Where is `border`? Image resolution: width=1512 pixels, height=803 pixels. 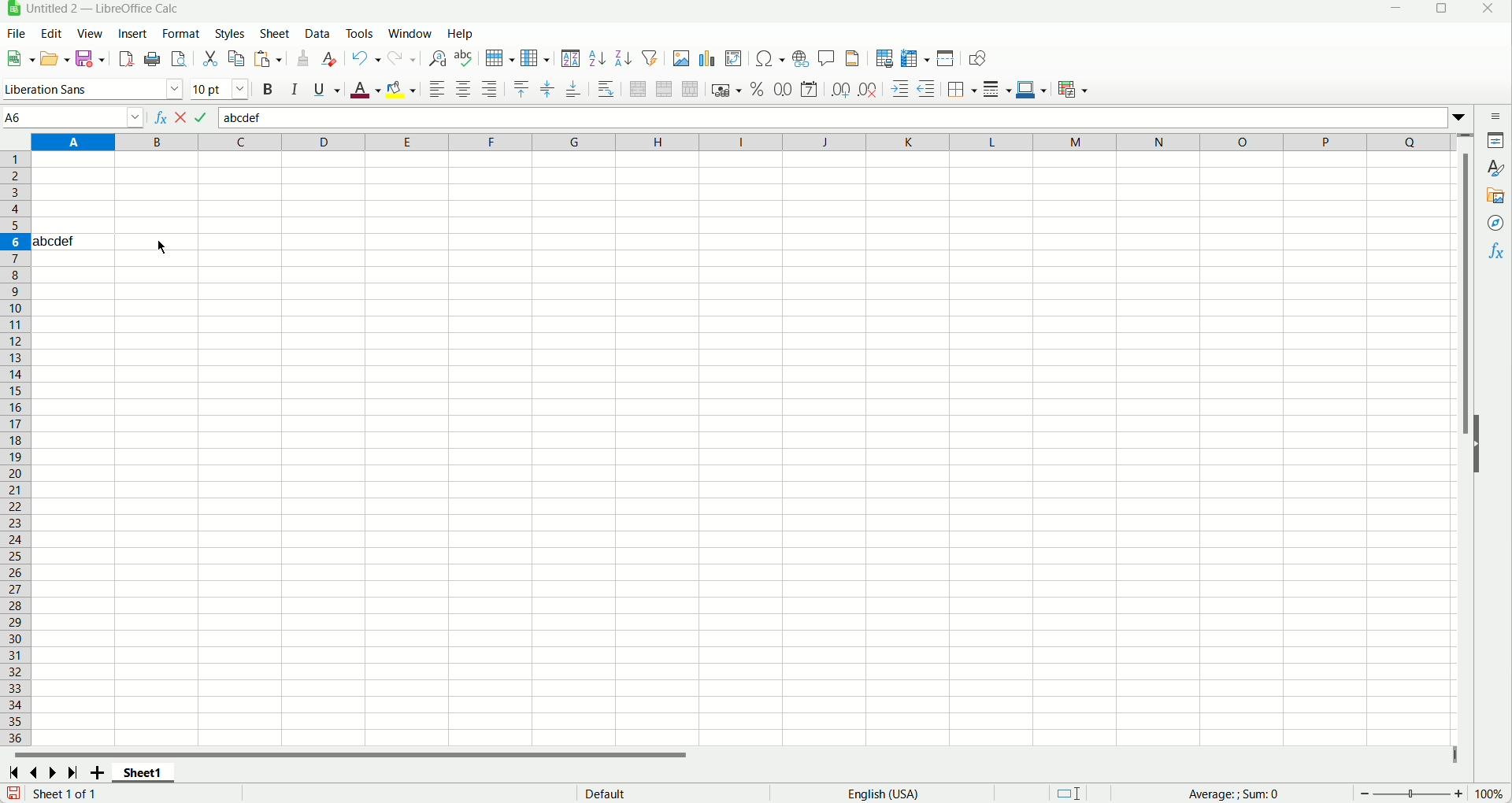 border is located at coordinates (962, 90).